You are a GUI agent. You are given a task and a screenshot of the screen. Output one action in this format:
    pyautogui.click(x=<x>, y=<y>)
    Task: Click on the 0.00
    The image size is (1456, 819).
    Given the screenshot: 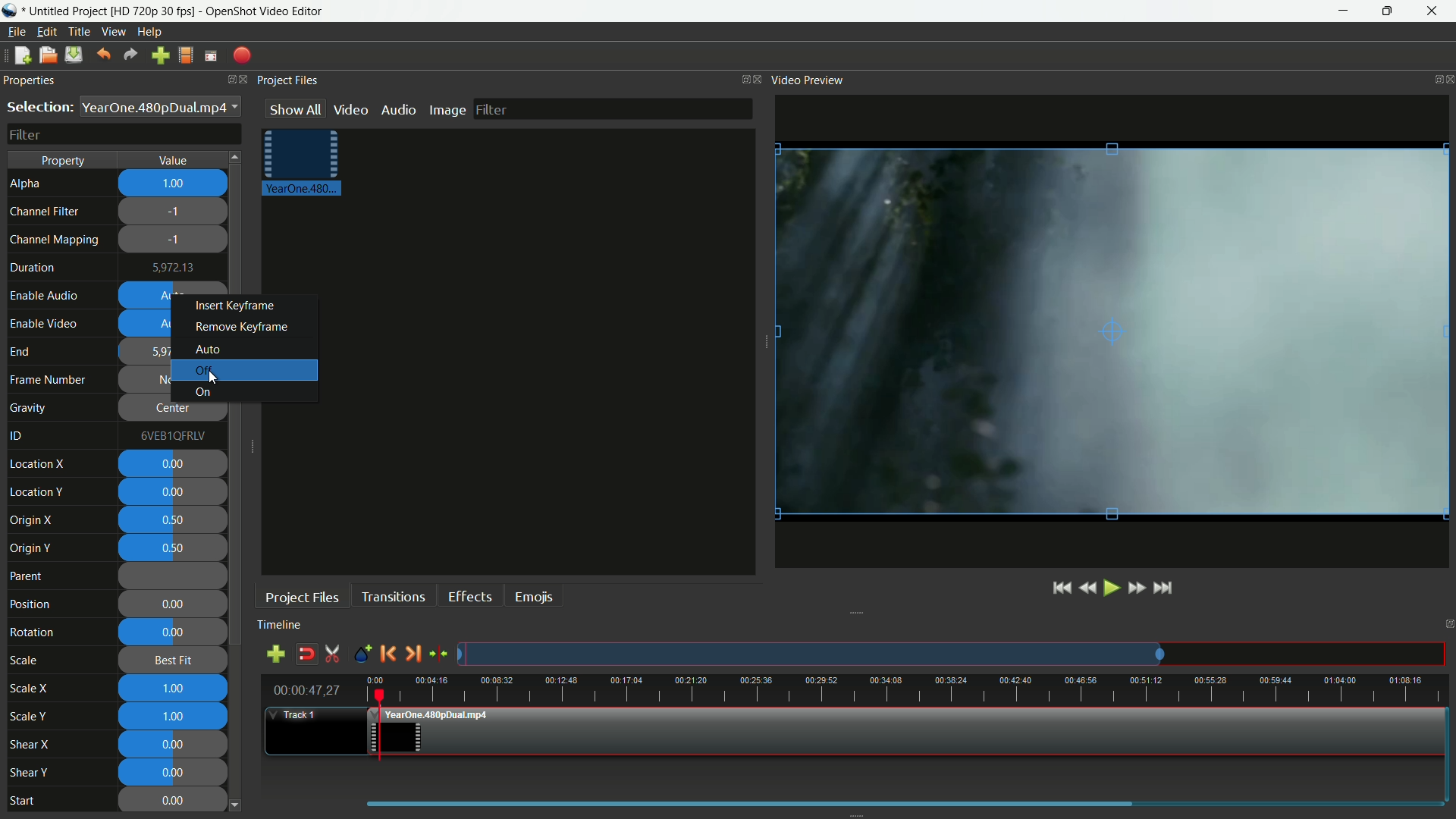 What is the action you would take?
    pyautogui.click(x=174, y=492)
    